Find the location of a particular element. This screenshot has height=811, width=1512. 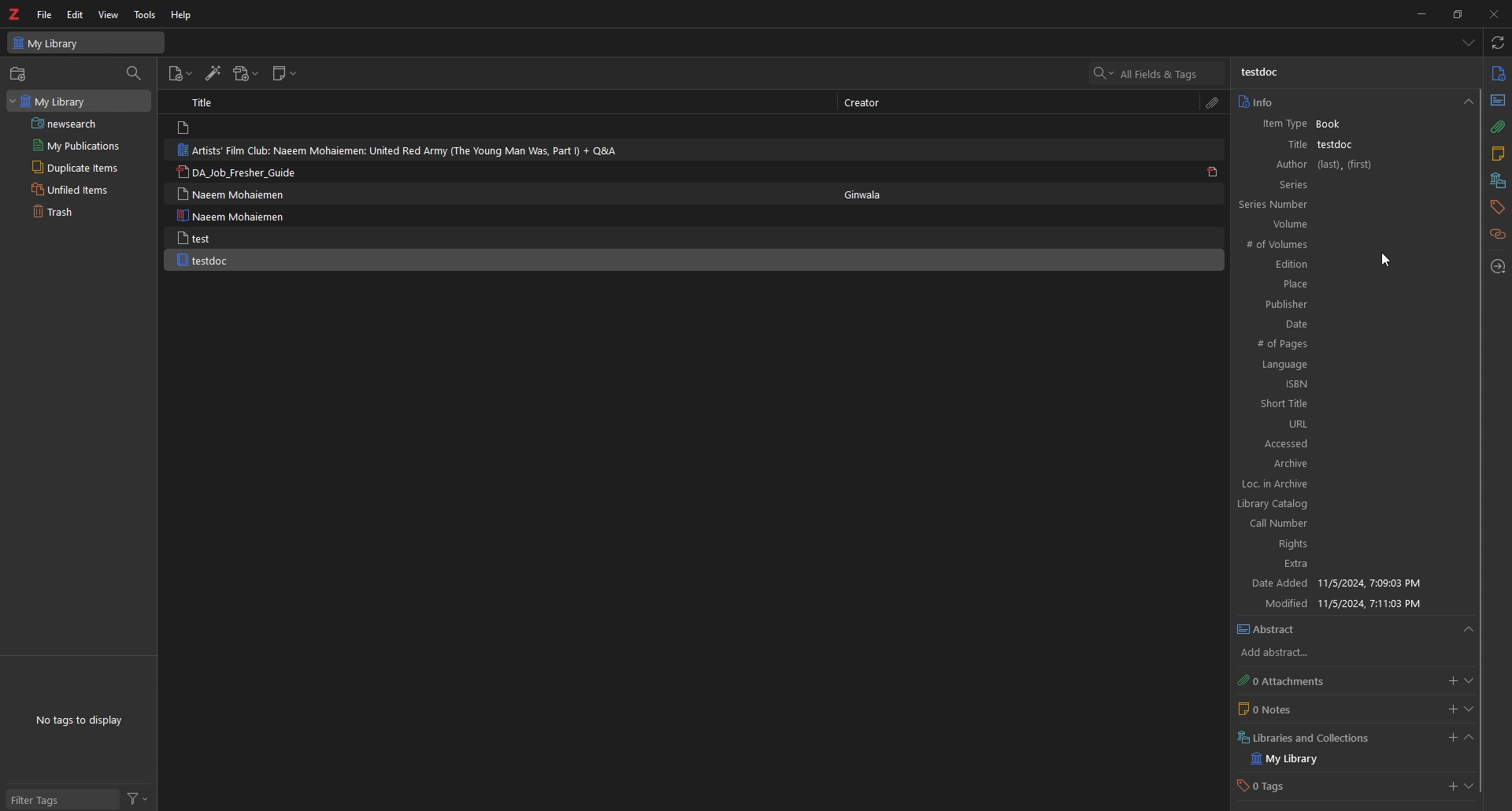

11/5/2024, 7:09:03 PM is located at coordinates (1371, 583).